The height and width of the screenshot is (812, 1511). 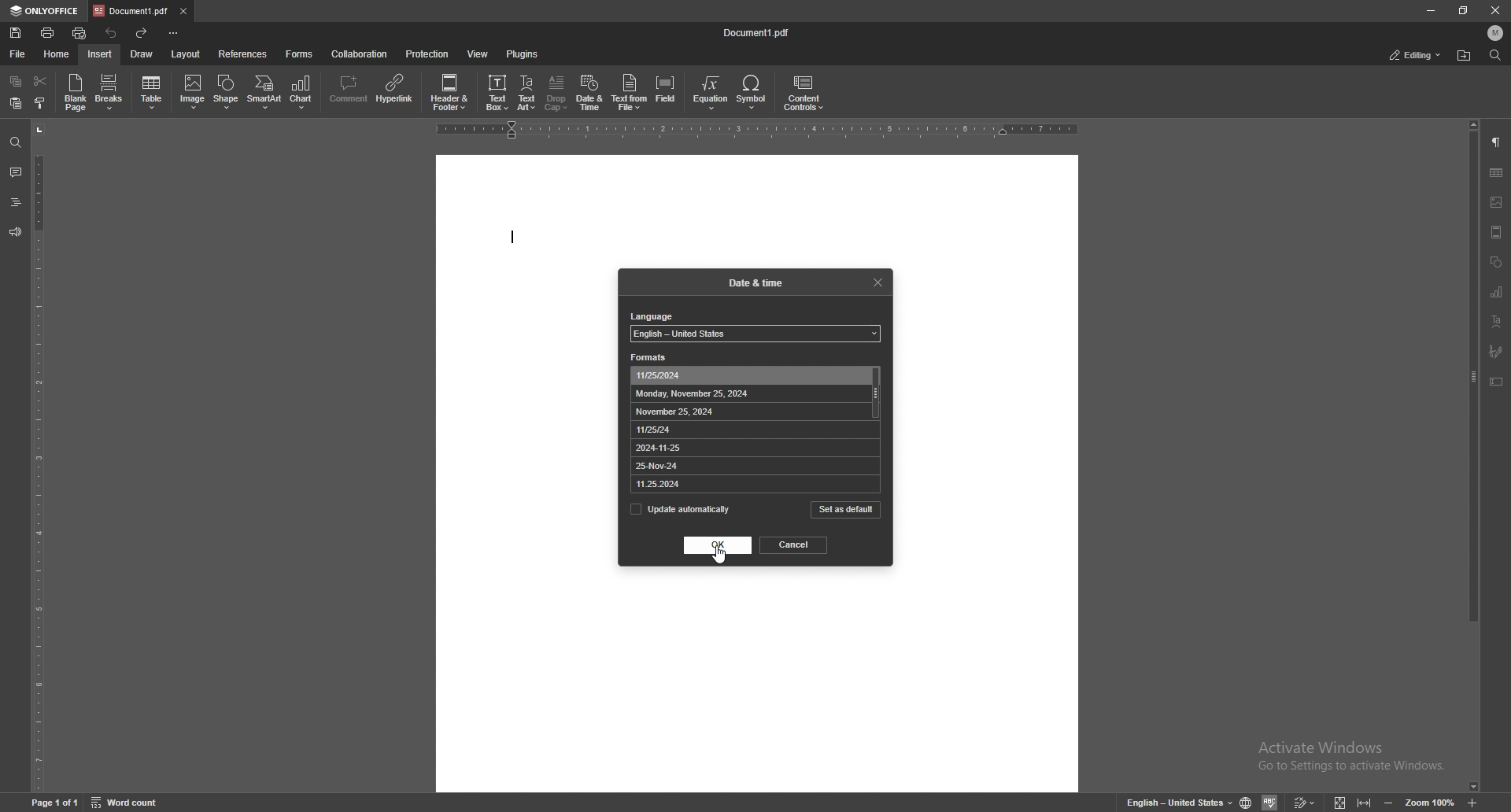 I want to click on date and time, so click(x=759, y=282).